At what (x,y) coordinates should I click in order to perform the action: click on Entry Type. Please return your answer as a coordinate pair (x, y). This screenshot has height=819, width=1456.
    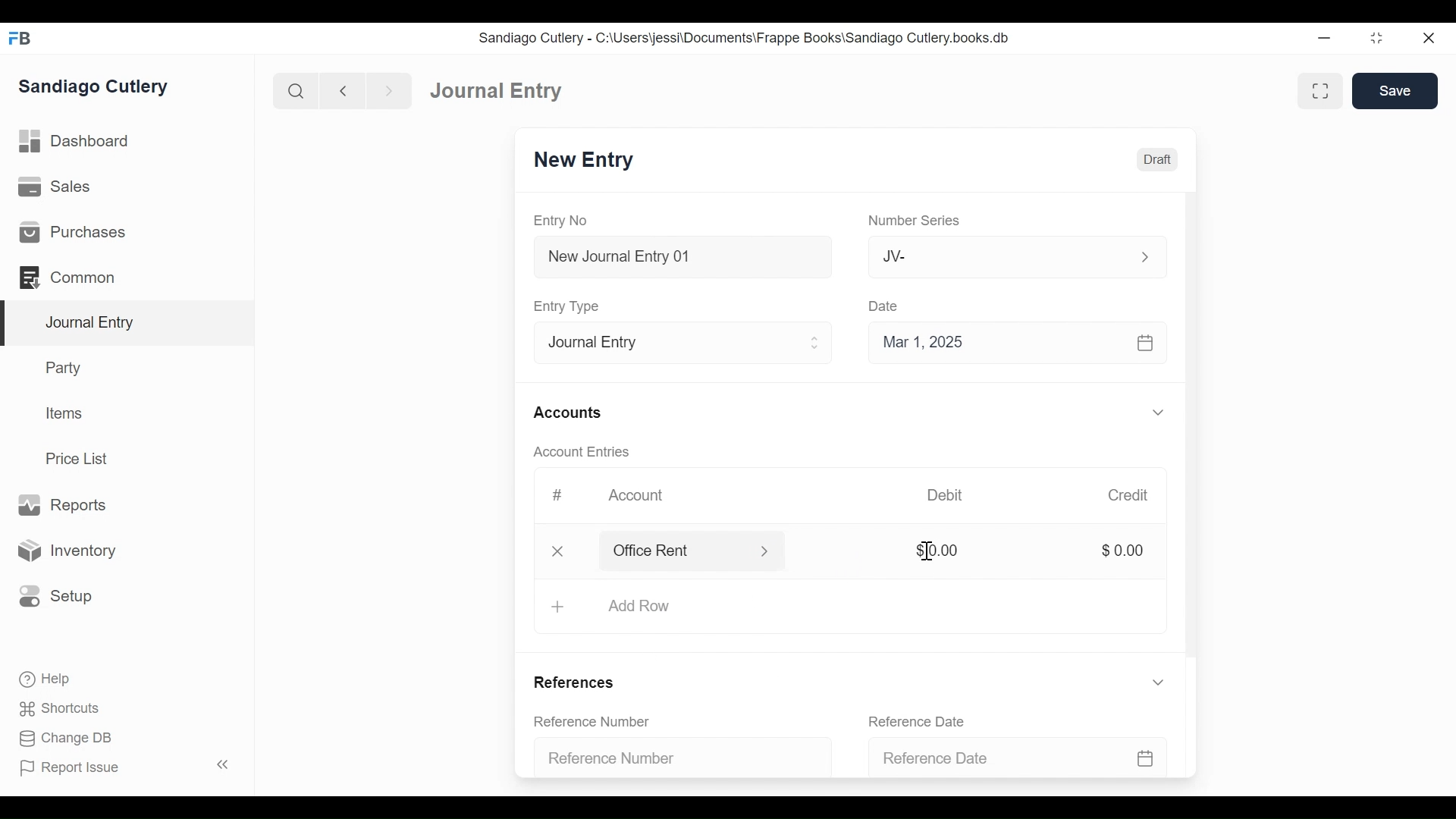
    Looking at the image, I should click on (678, 340).